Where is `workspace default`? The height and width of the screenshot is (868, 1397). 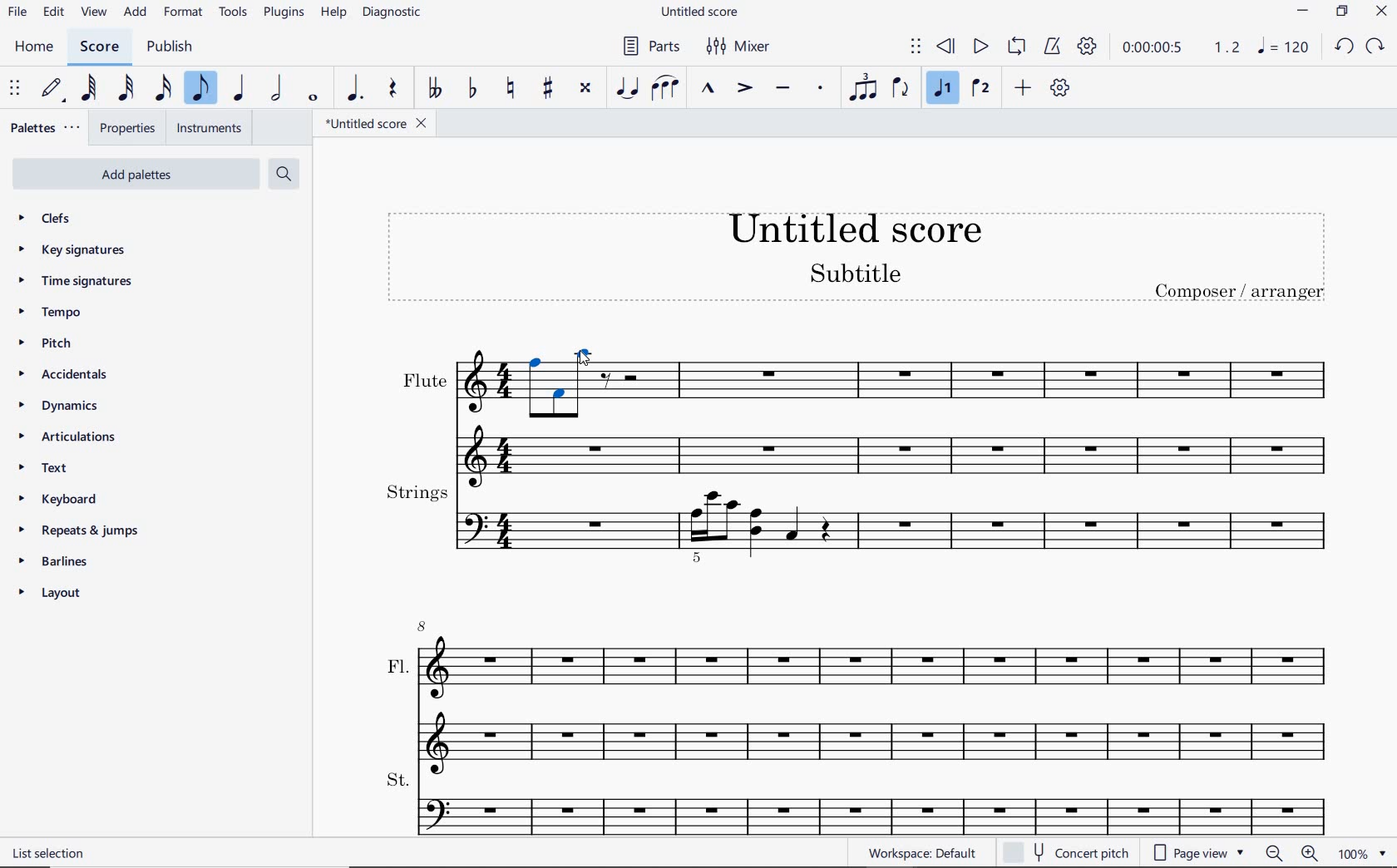 workspace default is located at coordinates (922, 853).